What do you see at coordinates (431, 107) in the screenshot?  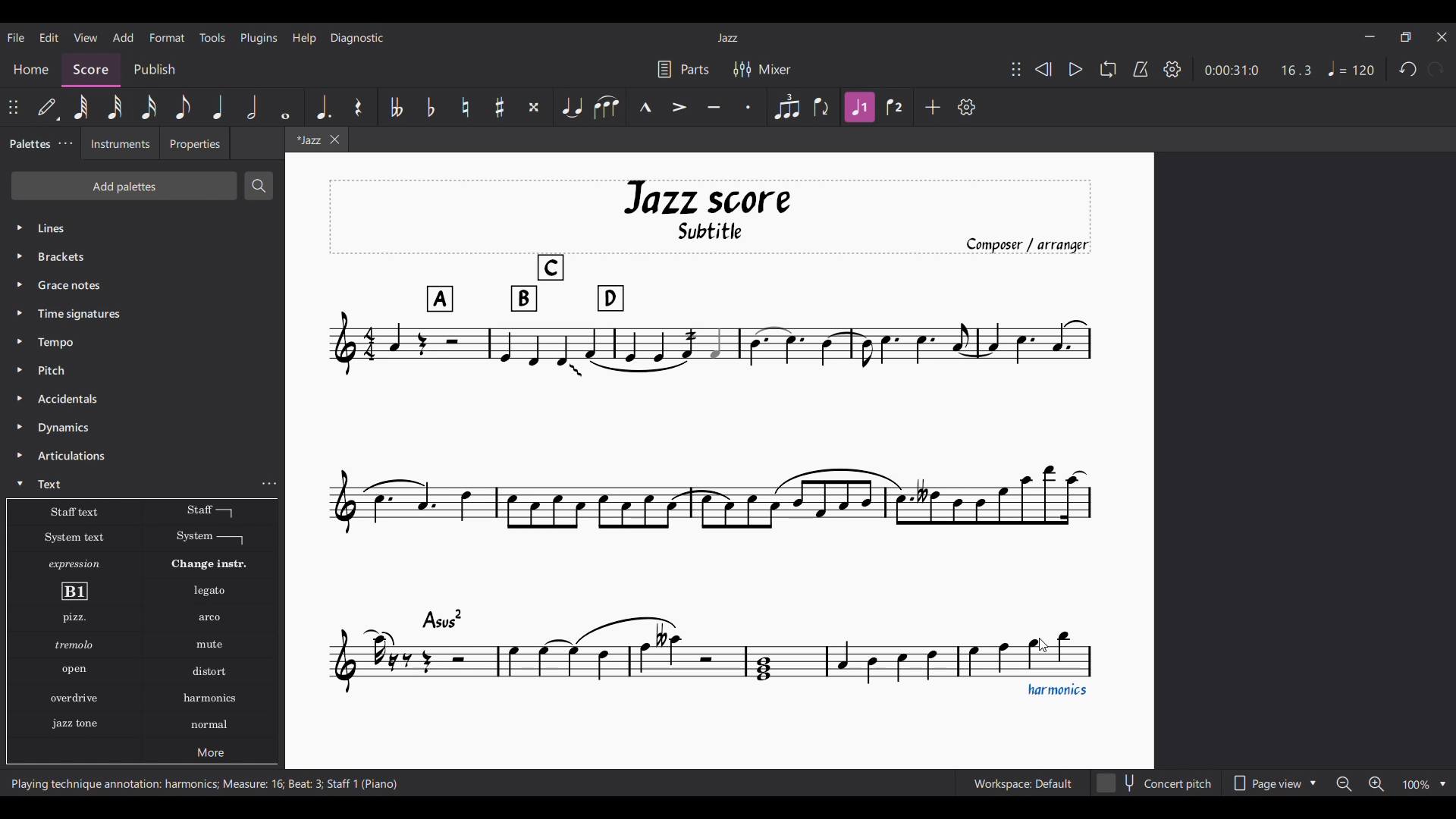 I see `Toggle flat` at bounding box center [431, 107].